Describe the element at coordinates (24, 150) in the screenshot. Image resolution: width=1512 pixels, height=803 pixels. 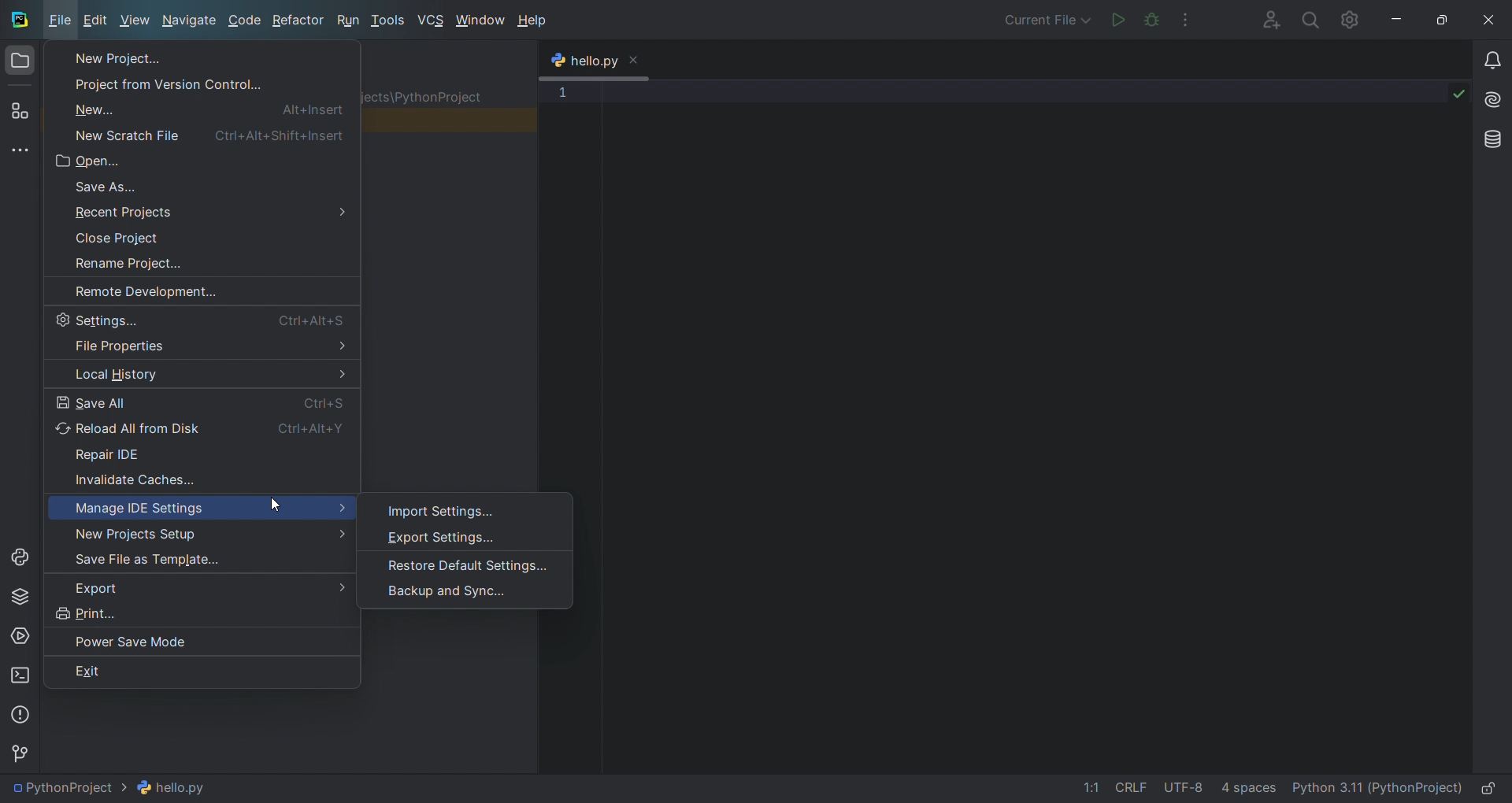
I see `more tools windows` at that location.